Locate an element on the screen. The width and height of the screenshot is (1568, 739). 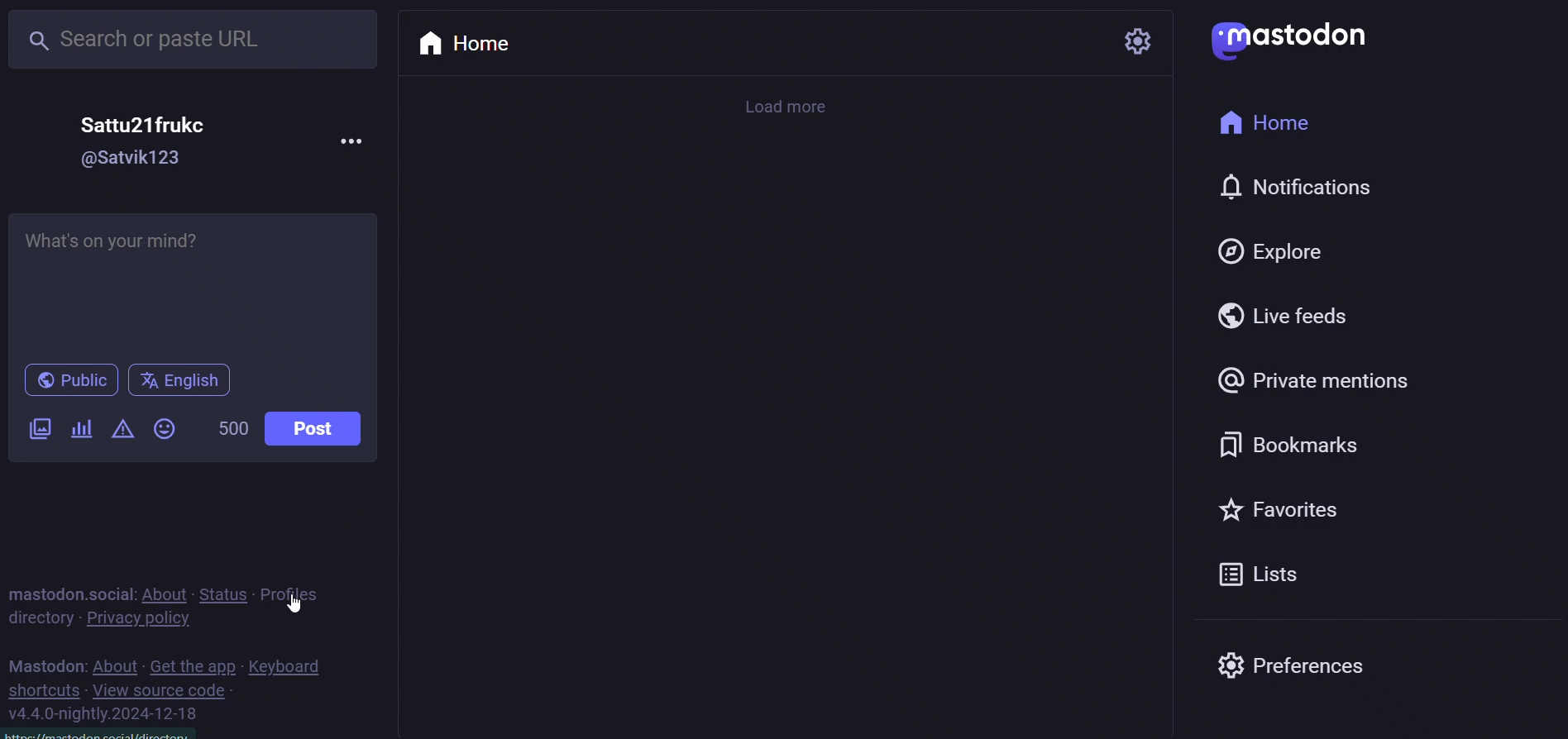
word limit is located at coordinates (233, 427).